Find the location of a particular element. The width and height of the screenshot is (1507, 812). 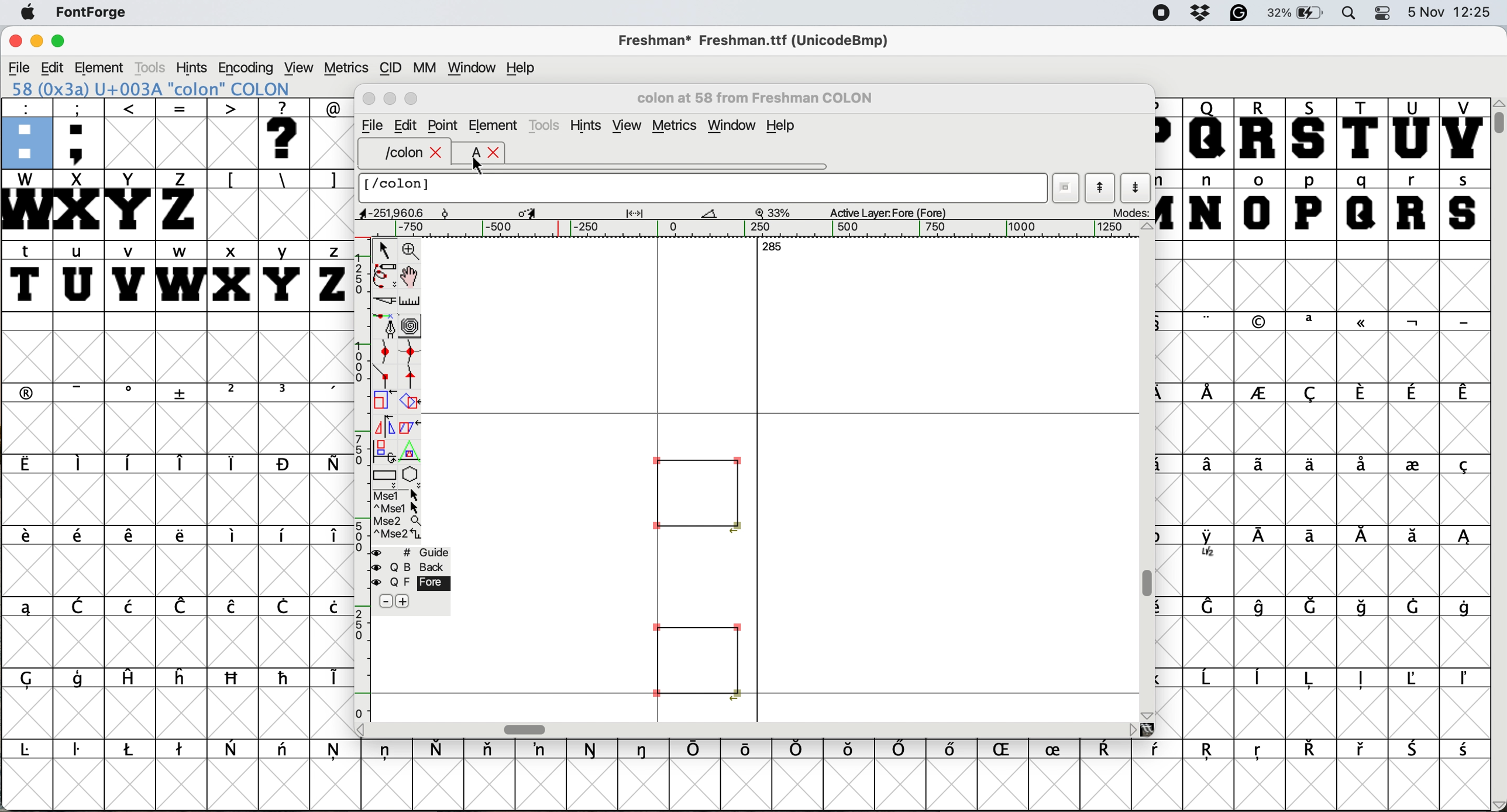

minimise is located at coordinates (35, 41).